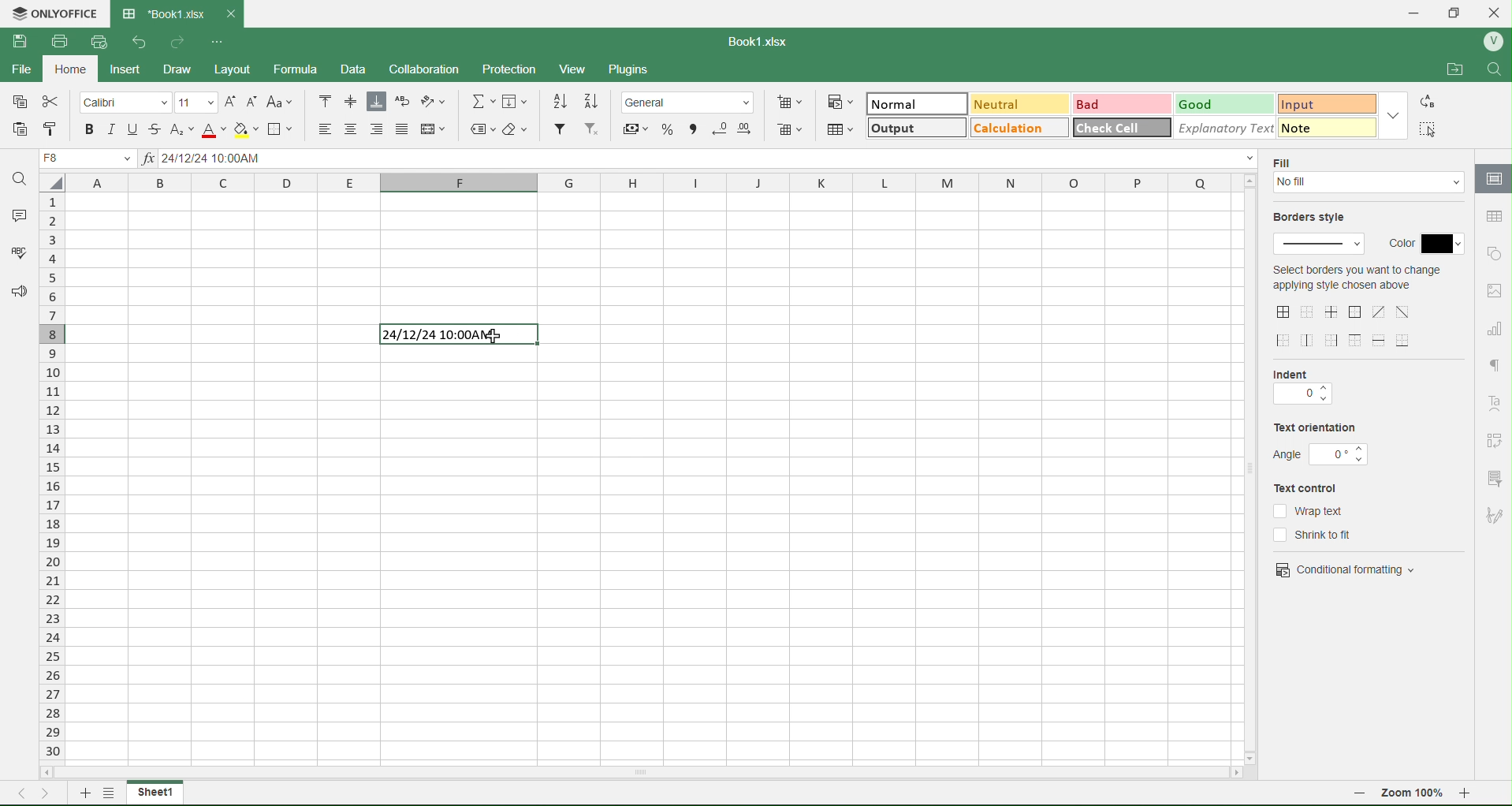 The height and width of the screenshot is (806, 1512). What do you see at coordinates (13, 254) in the screenshot?
I see `Spell Checking` at bounding box center [13, 254].